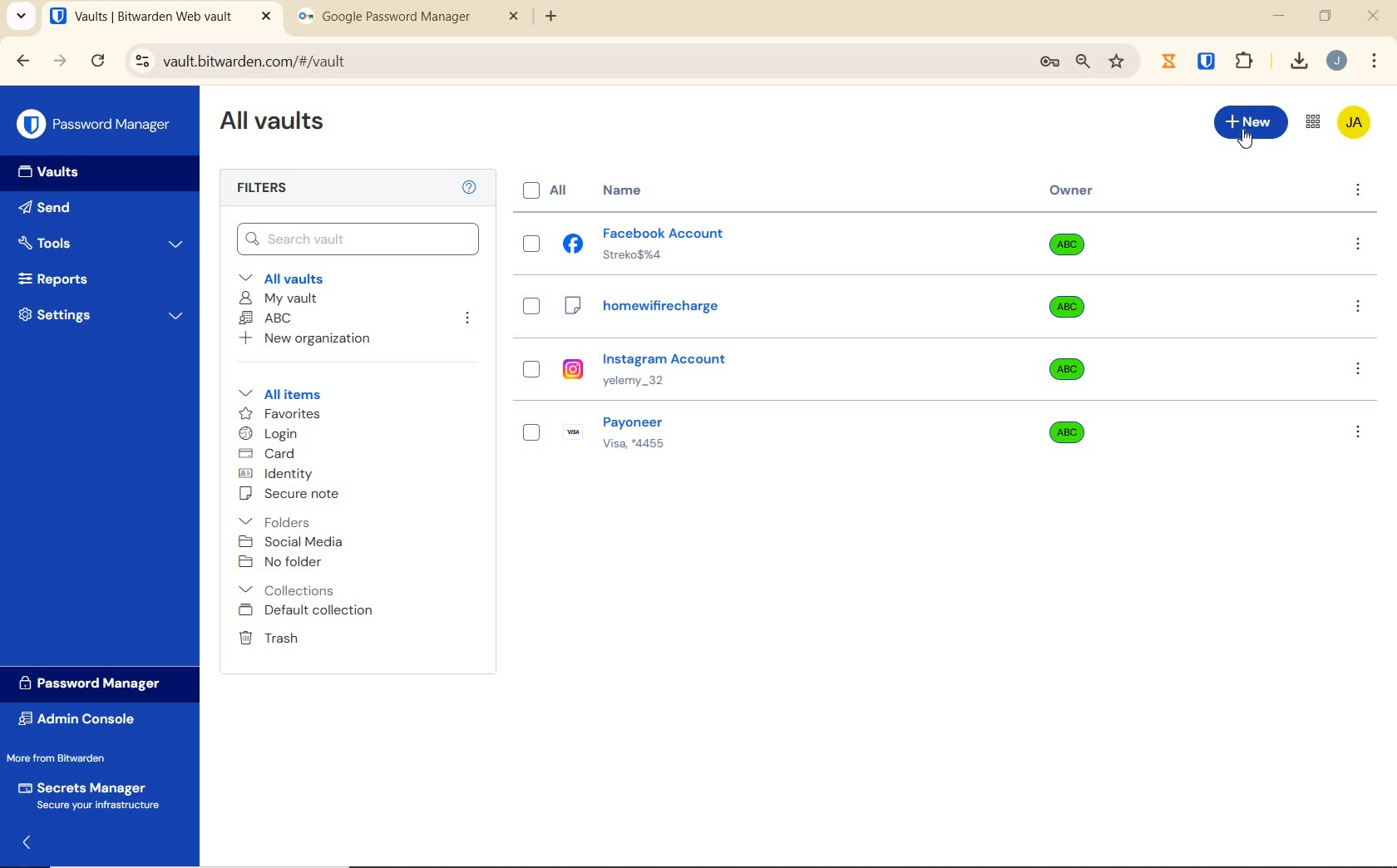  I want to click on close, so click(1375, 16).